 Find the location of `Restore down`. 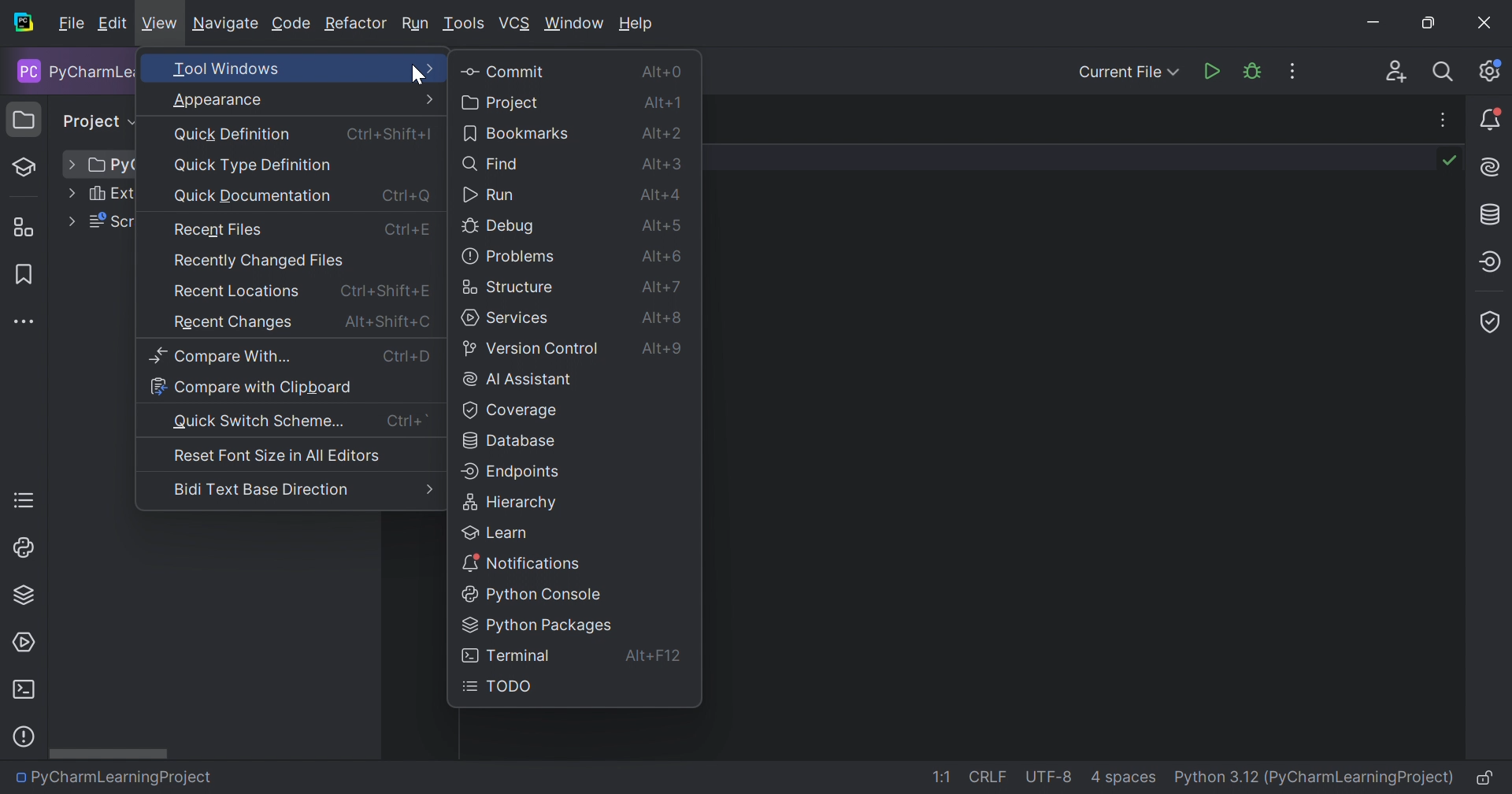

Restore down is located at coordinates (1431, 24).